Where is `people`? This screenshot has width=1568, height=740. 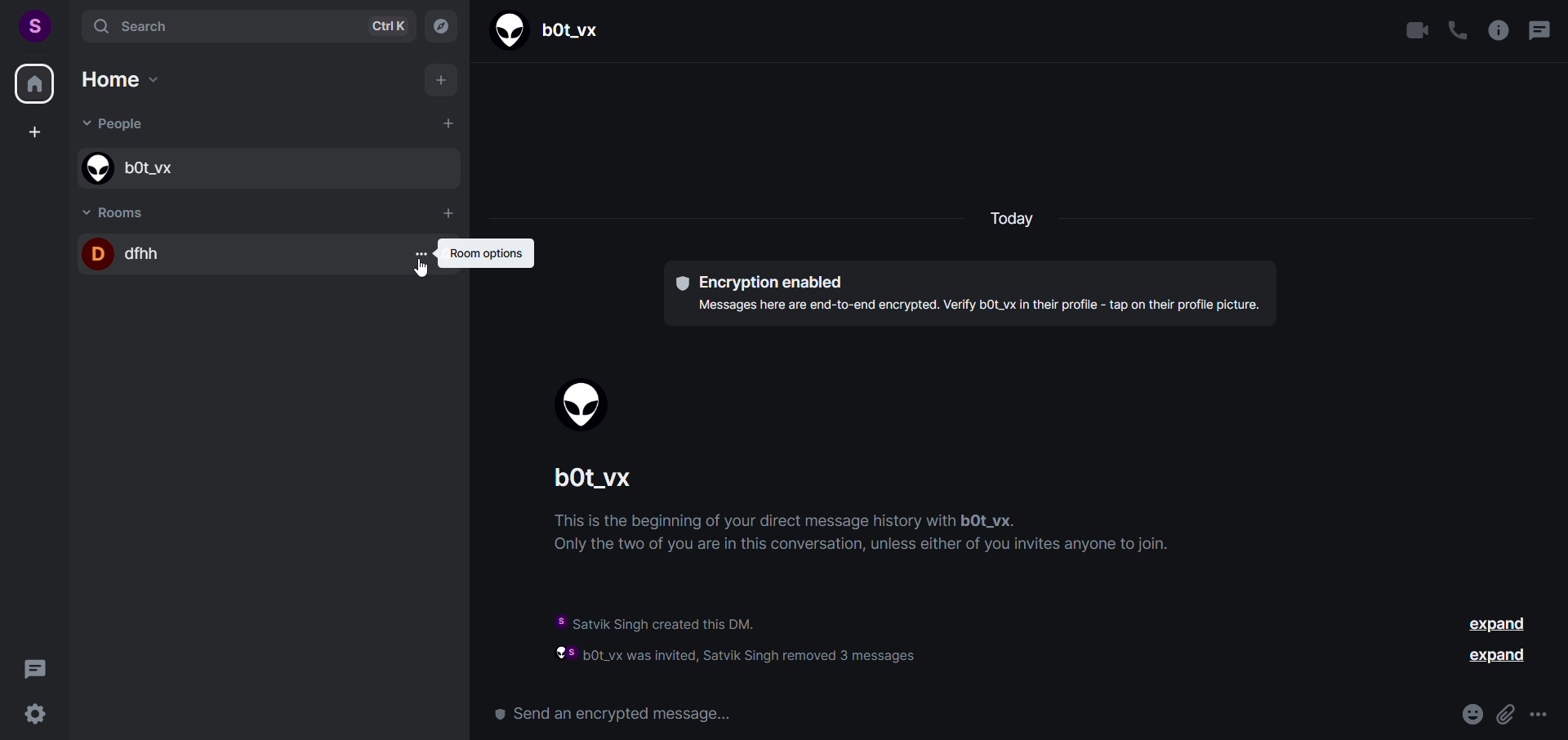
people is located at coordinates (119, 126).